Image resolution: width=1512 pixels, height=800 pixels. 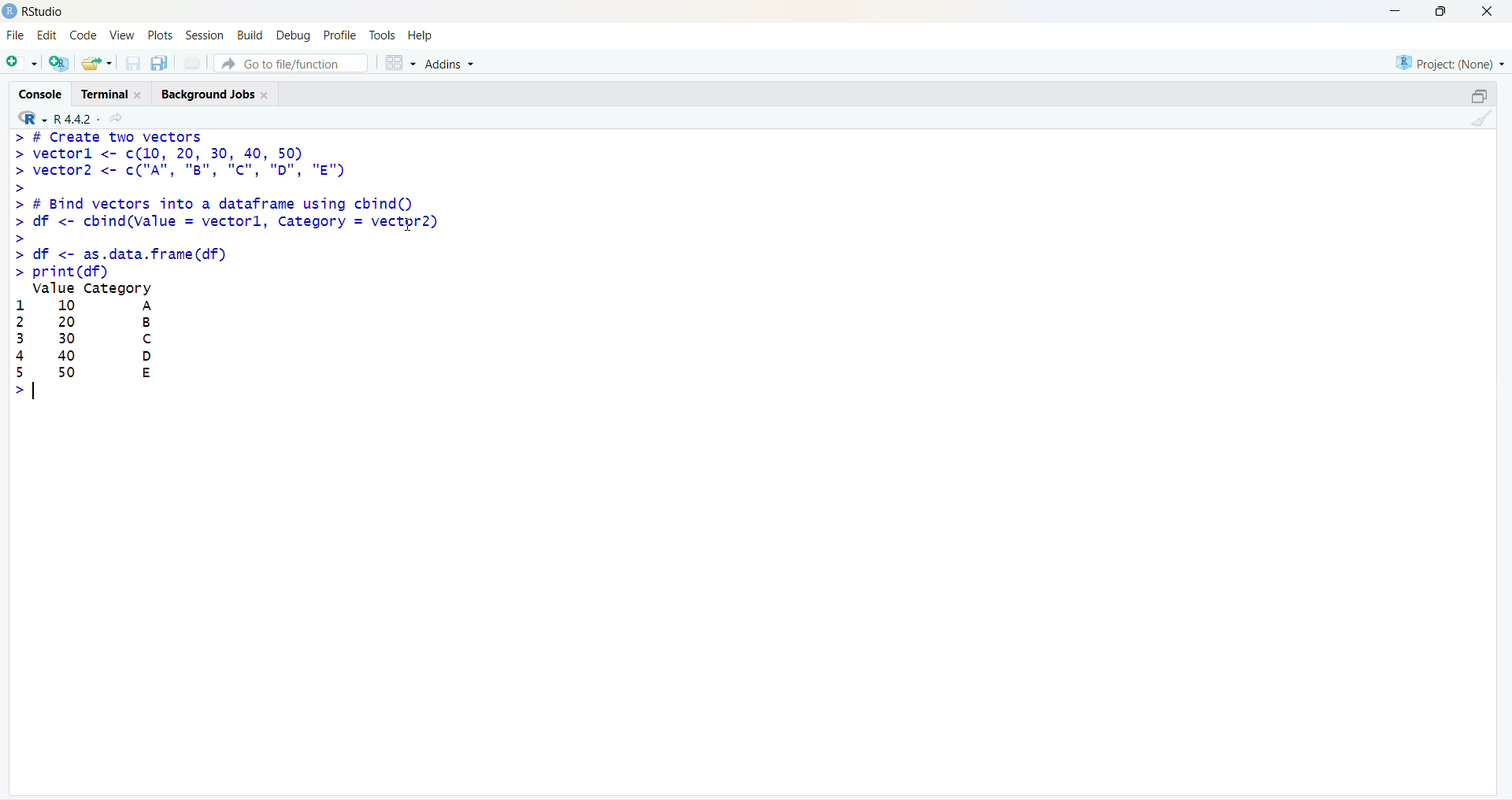 I want to click on Code, so click(x=84, y=34).